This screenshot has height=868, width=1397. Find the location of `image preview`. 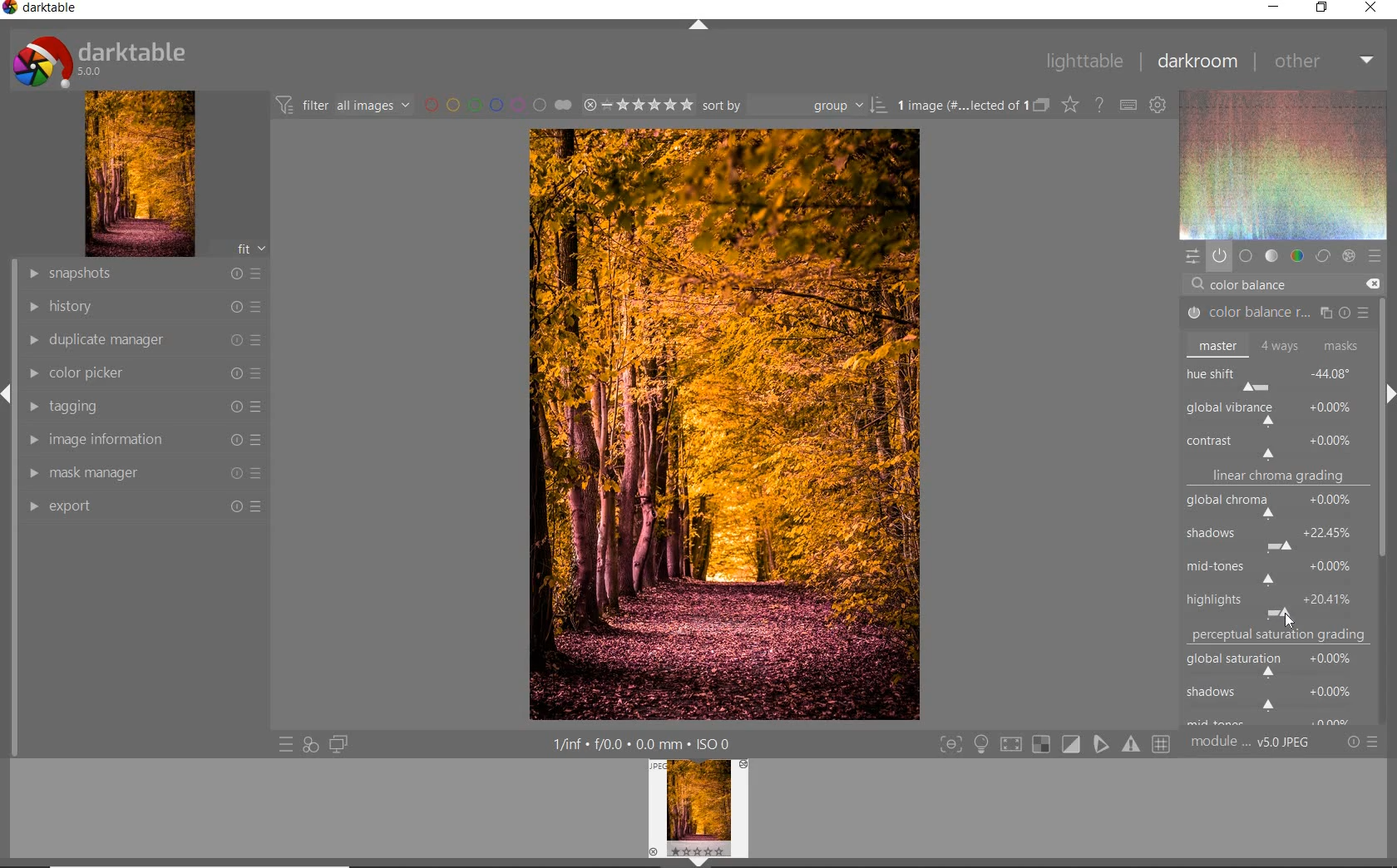

image preview is located at coordinates (698, 814).